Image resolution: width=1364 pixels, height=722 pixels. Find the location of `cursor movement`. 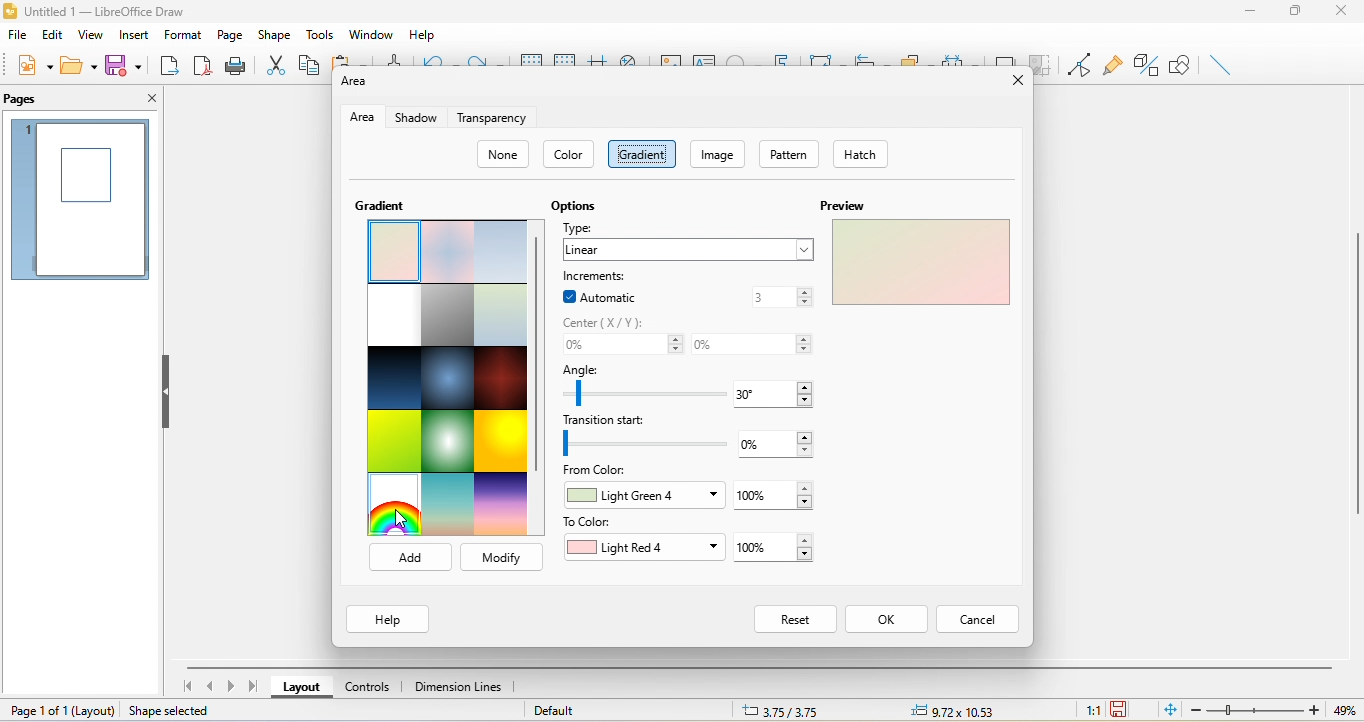

cursor movement is located at coordinates (404, 521).